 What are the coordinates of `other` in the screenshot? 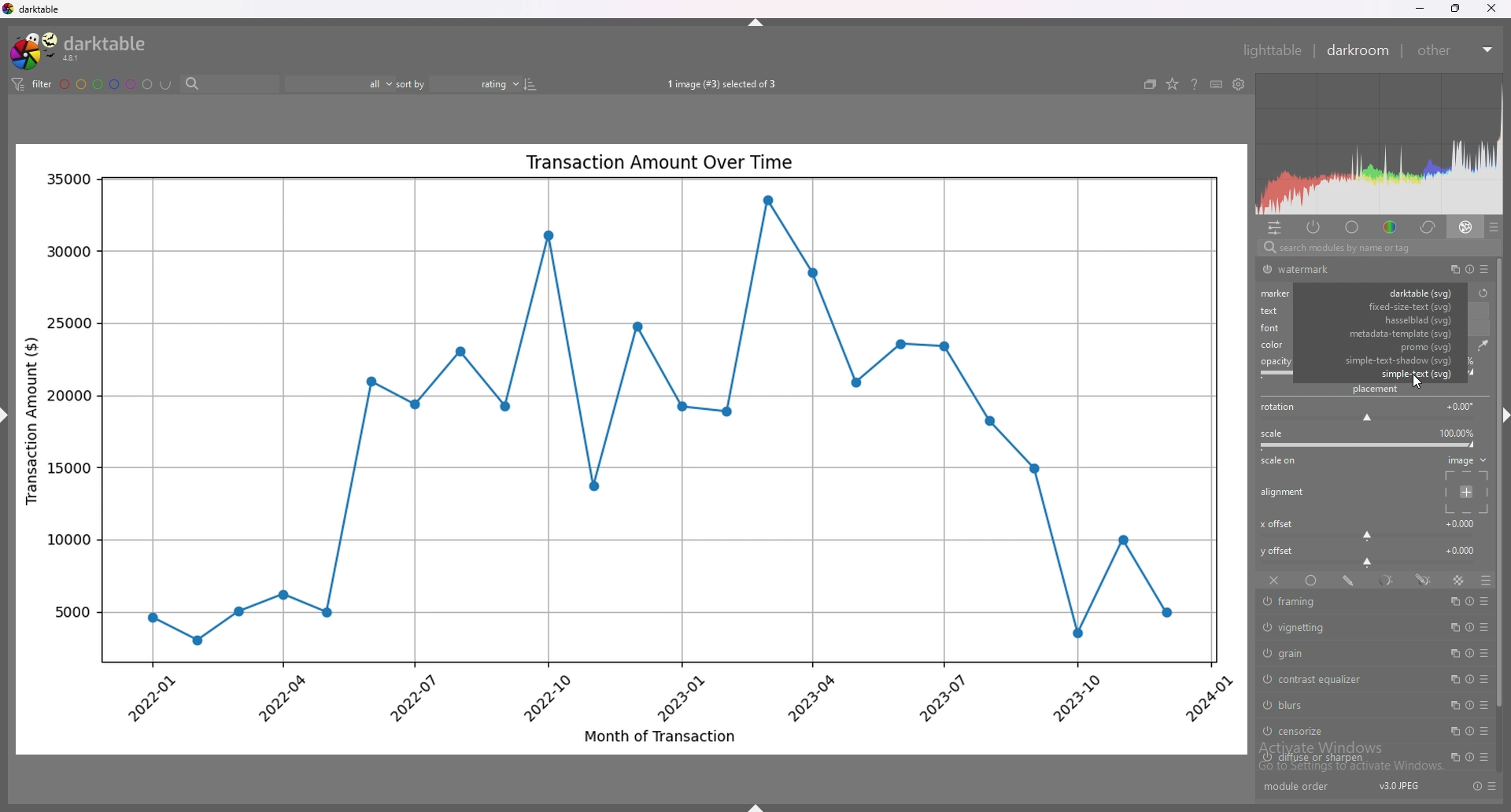 It's located at (1457, 50).